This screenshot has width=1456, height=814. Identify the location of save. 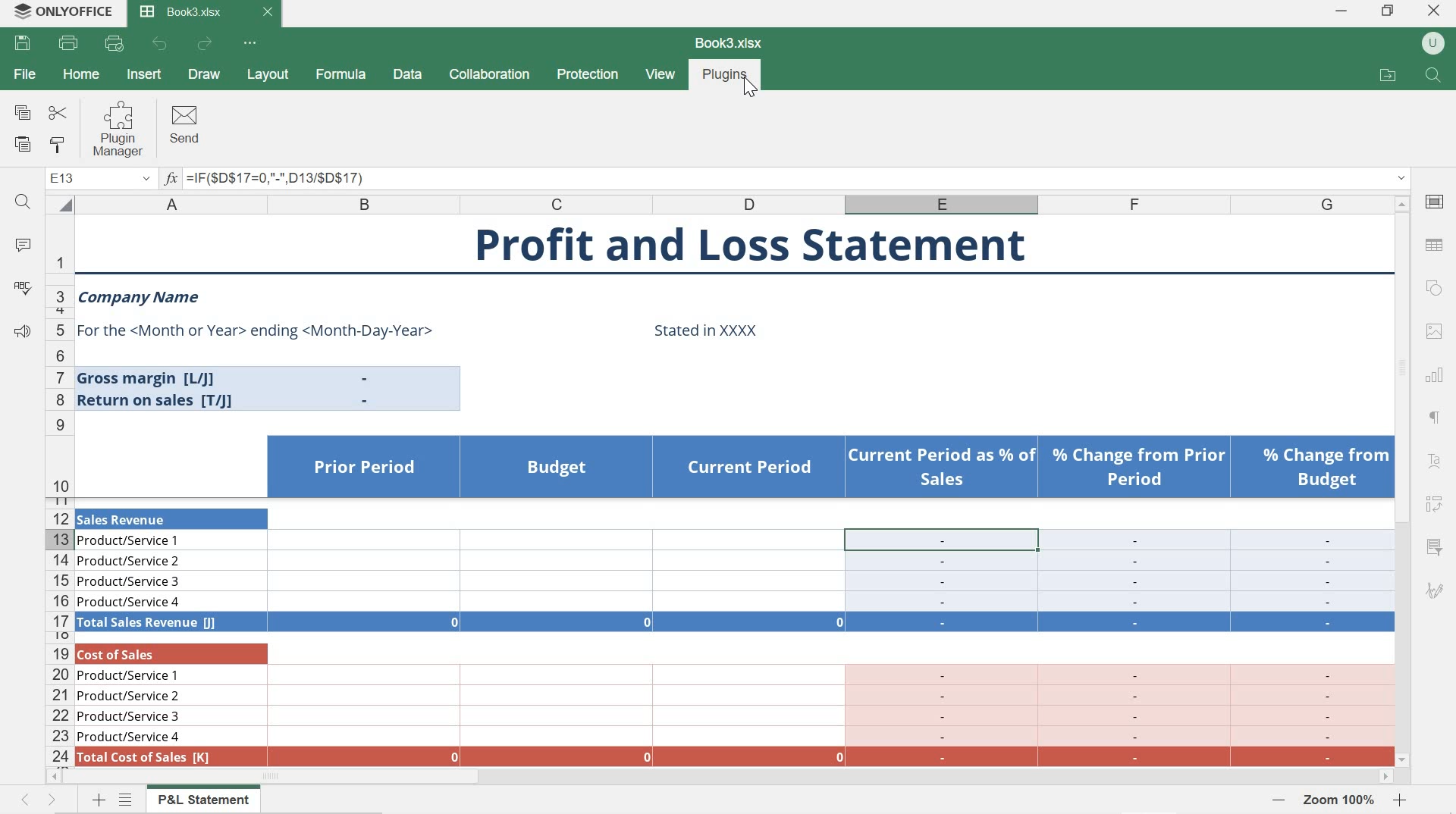
(24, 44).